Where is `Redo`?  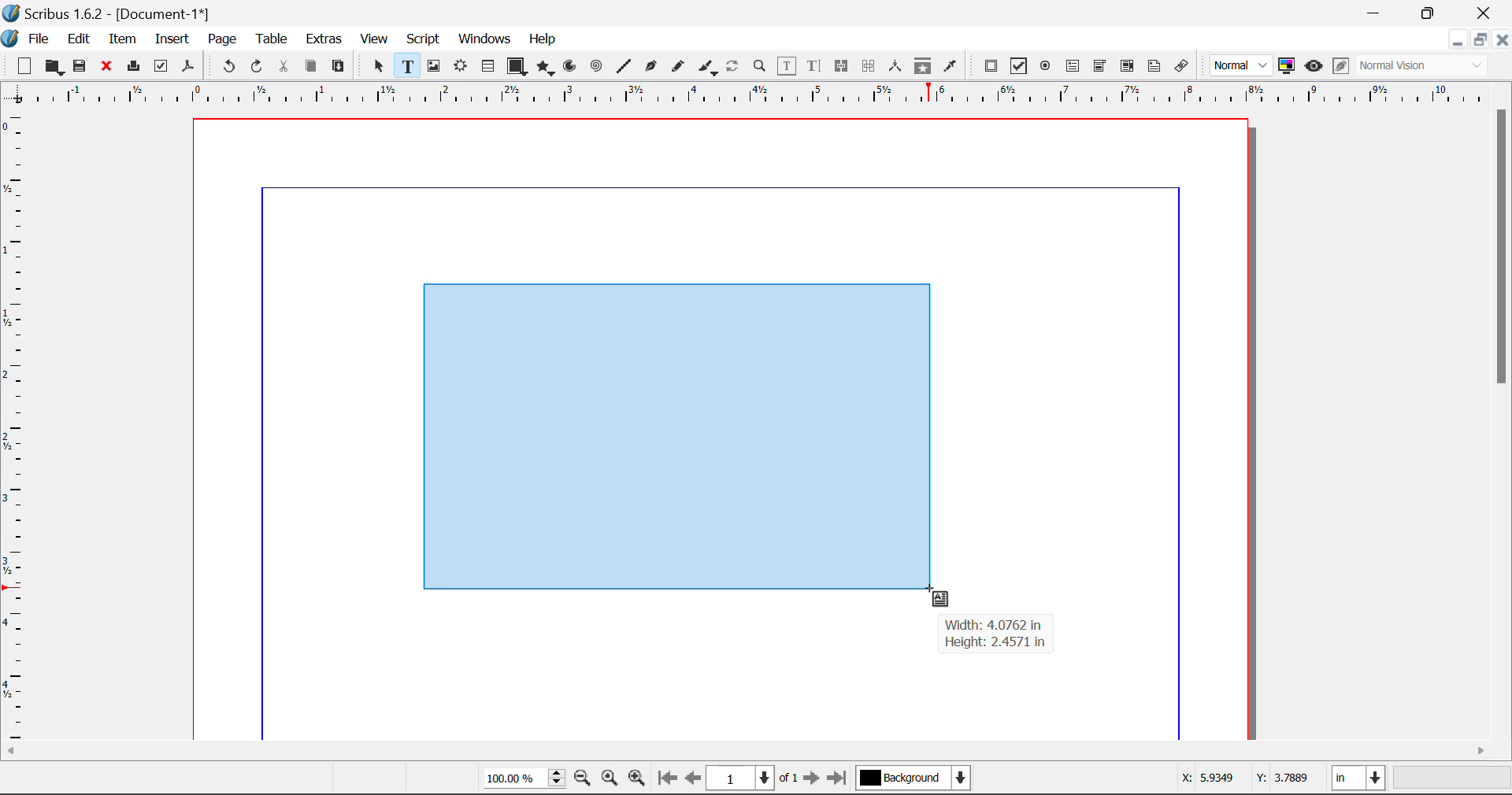
Redo is located at coordinates (260, 67).